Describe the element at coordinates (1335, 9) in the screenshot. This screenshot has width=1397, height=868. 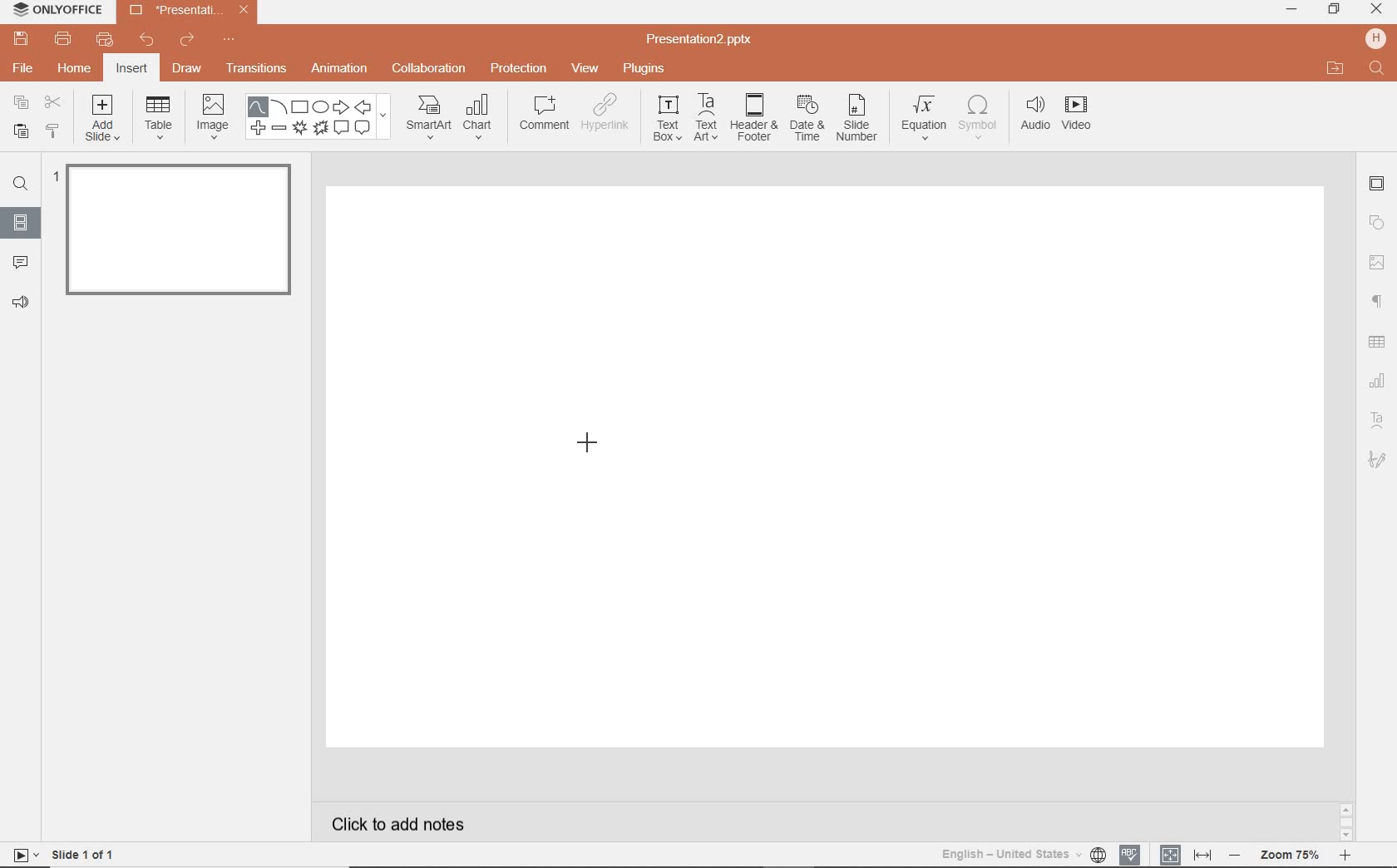
I see `RESTORE` at that location.